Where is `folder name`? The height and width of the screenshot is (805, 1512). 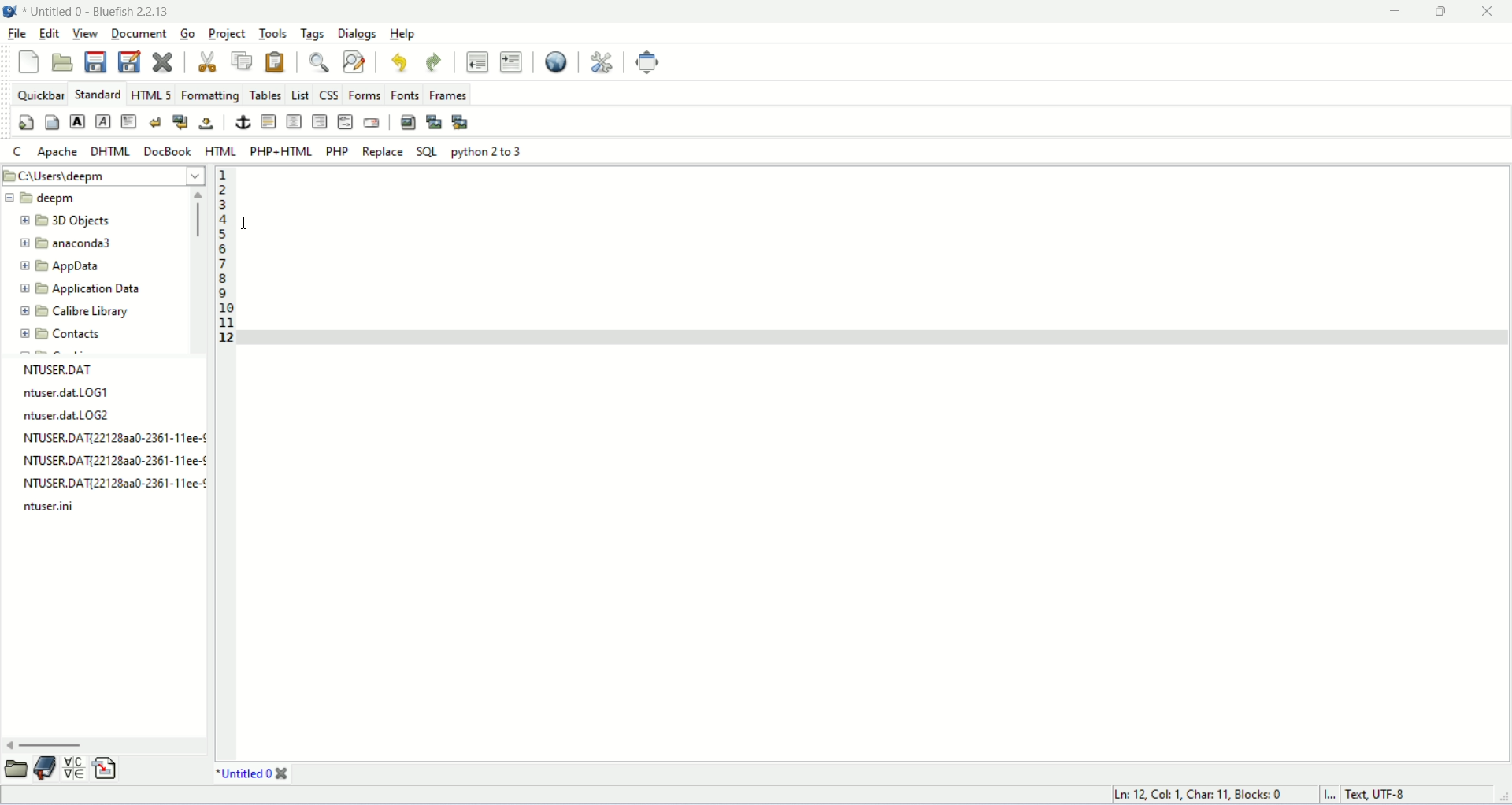 folder name is located at coordinates (74, 242).